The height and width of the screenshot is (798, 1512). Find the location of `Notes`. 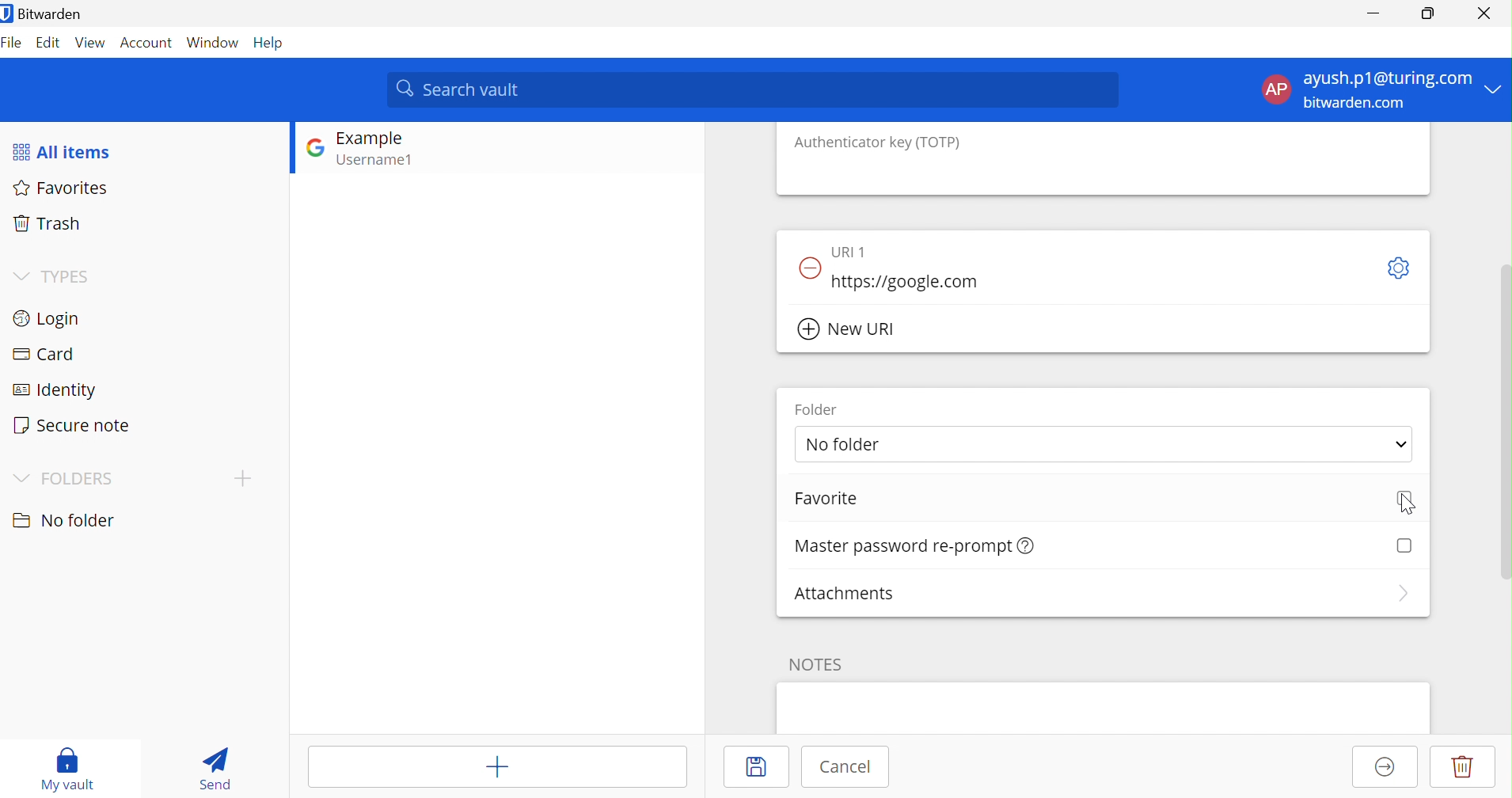

Notes is located at coordinates (817, 663).